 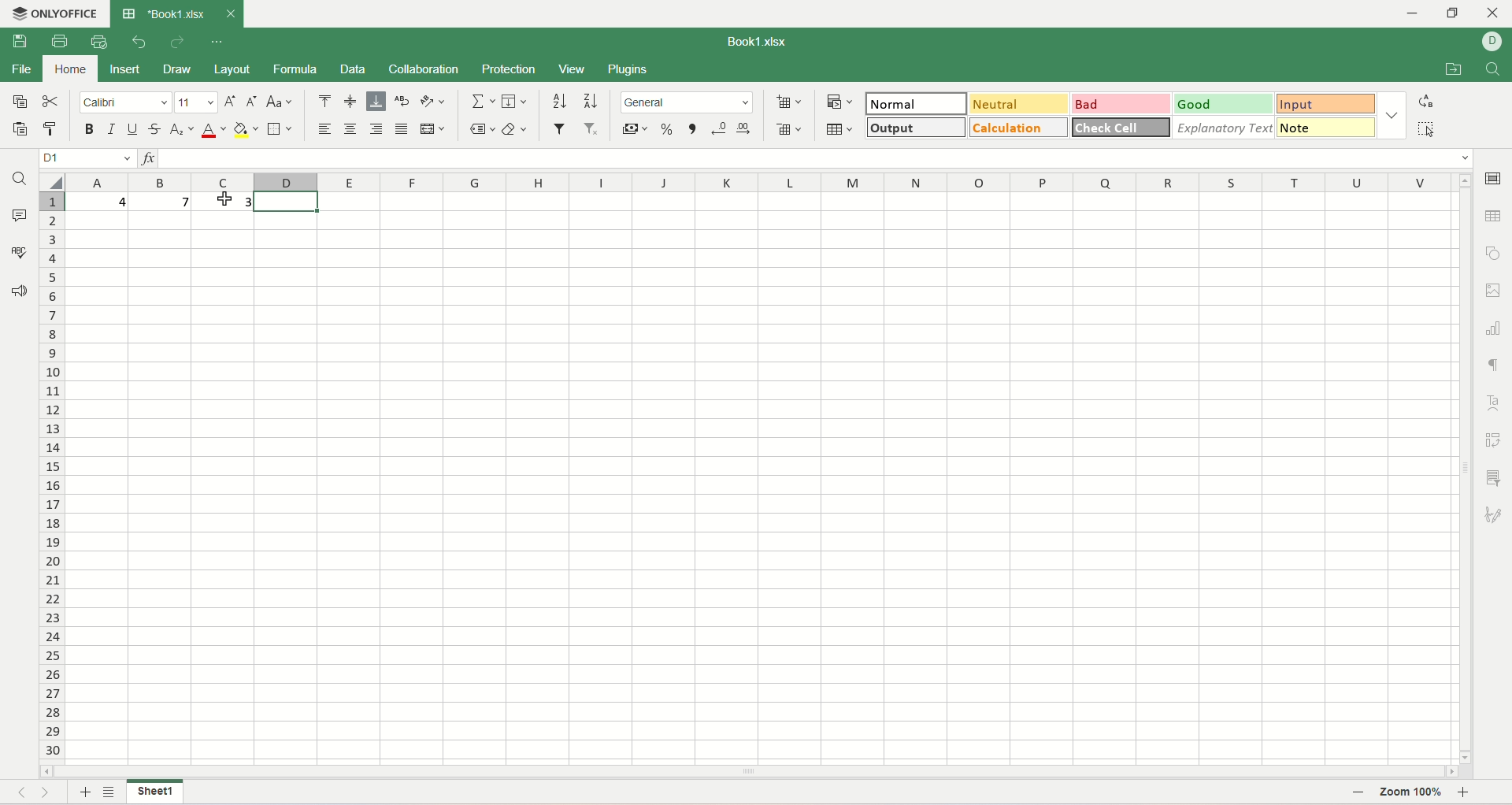 I want to click on output, so click(x=917, y=127).